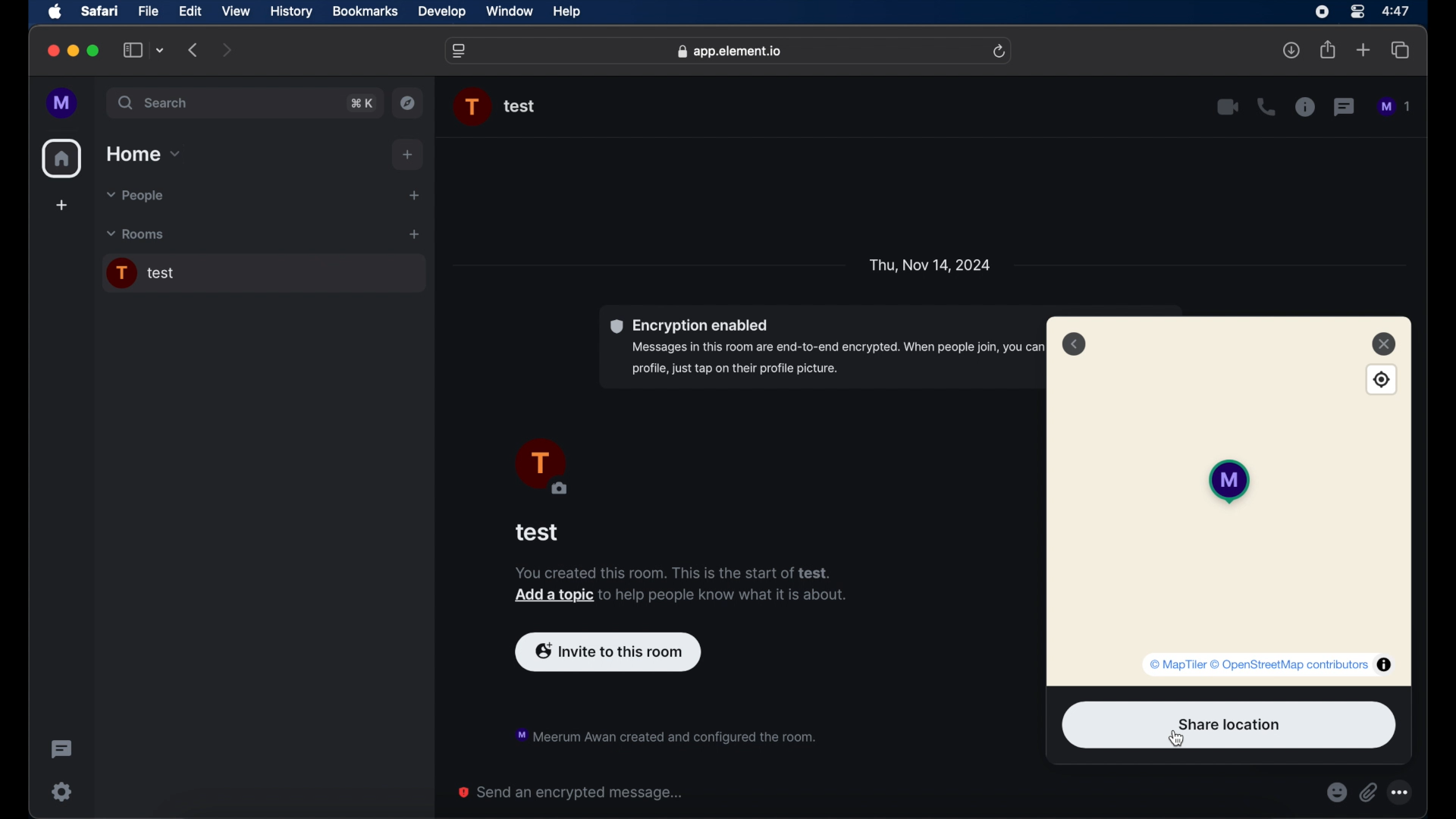 This screenshot has width=1456, height=819. I want to click on add, so click(409, 155).